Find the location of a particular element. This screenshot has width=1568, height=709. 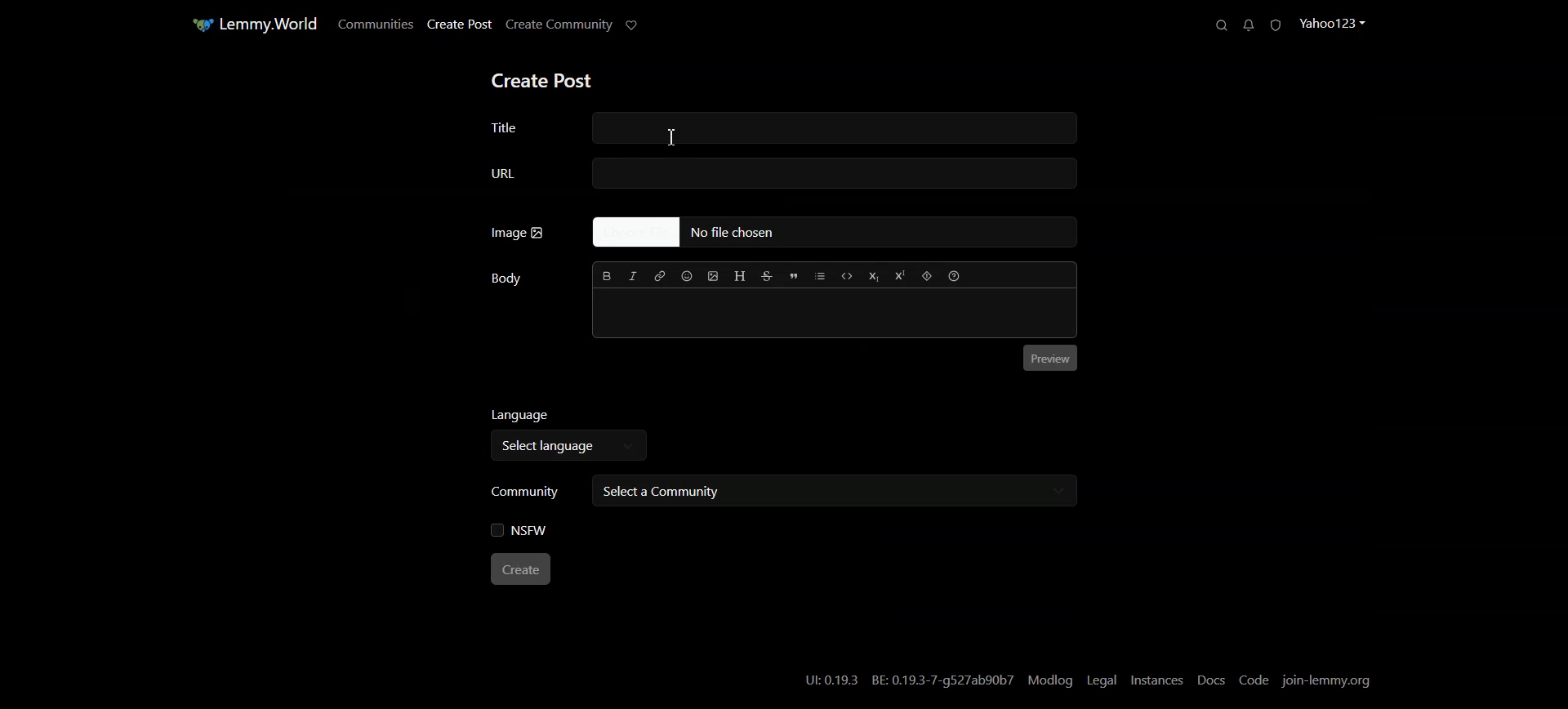

NSFW is located at coordinates (520, 531).